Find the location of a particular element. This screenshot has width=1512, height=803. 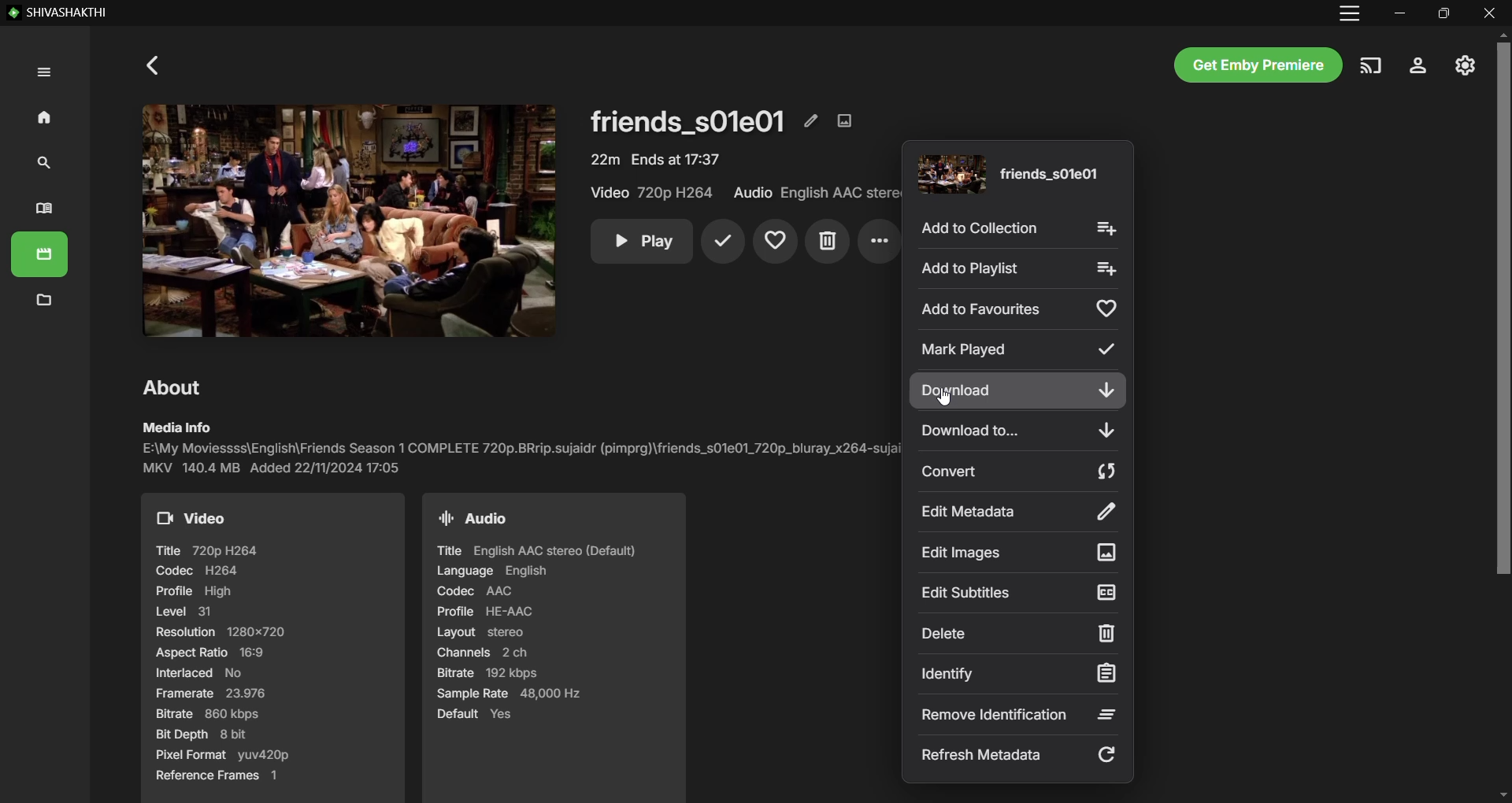

Selected TV episode image - Click to Play video is located at coordinates (341, 220).